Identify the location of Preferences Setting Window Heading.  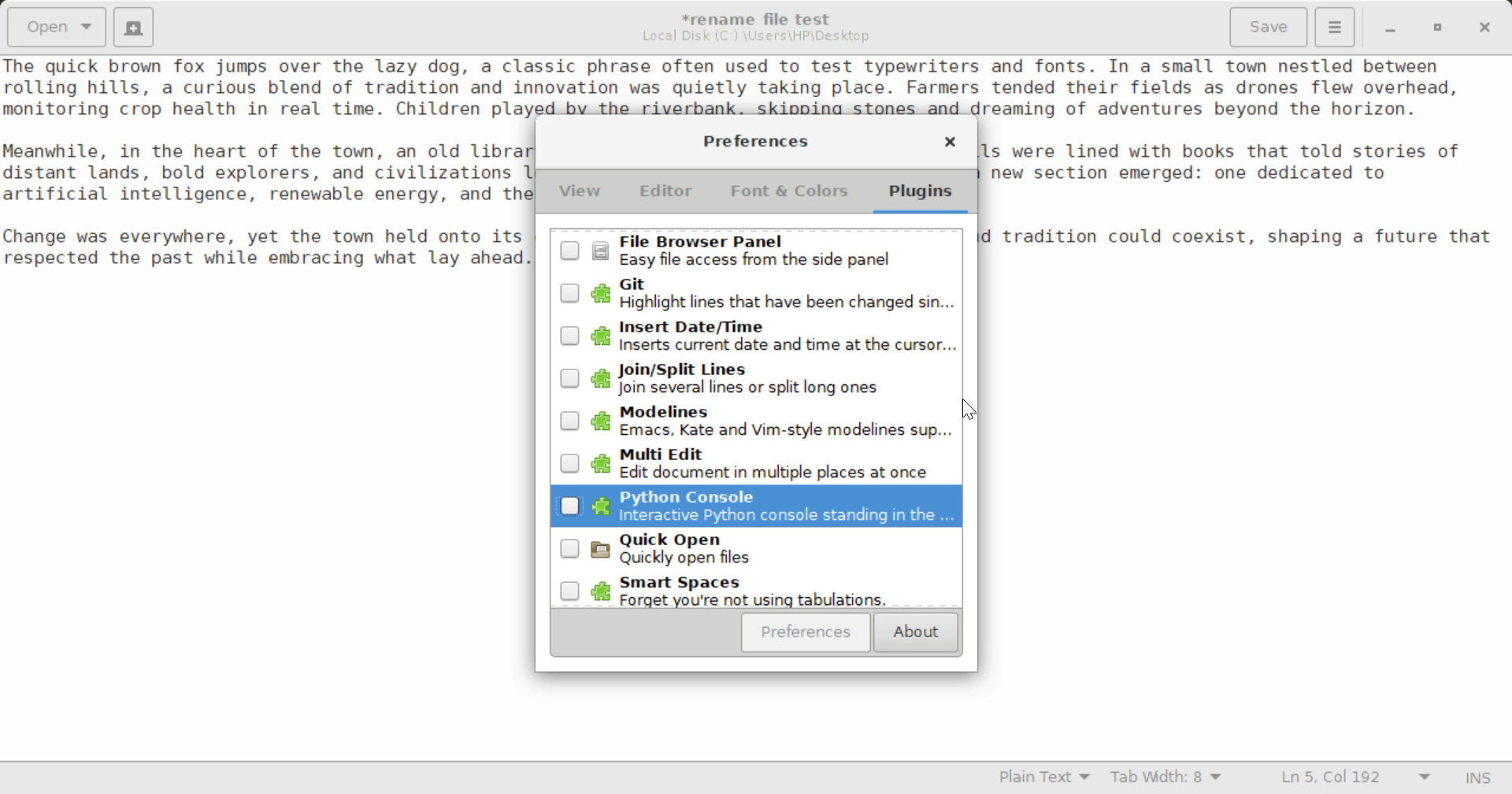
(755, 141).